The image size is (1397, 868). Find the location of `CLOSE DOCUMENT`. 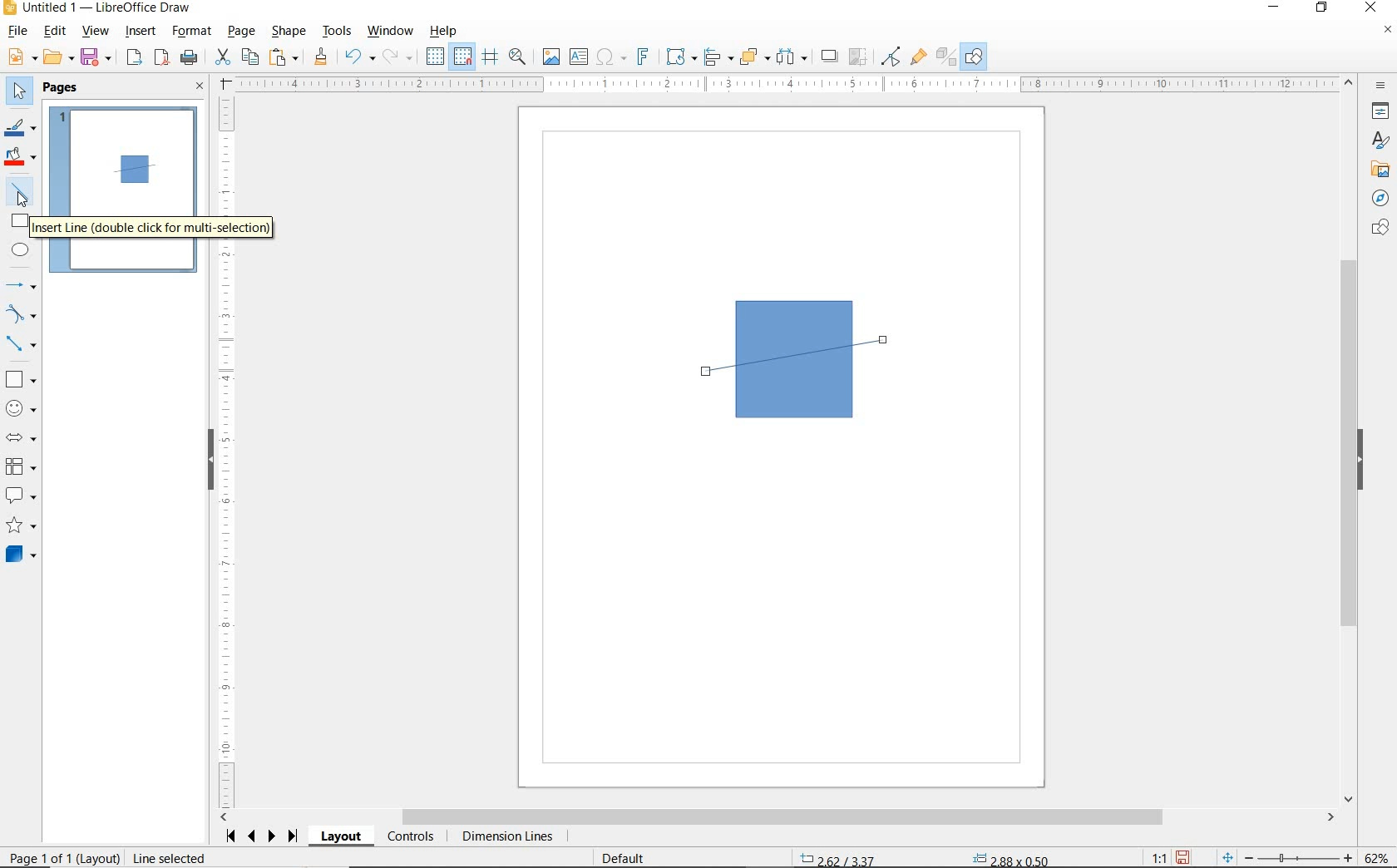

CLOSE DOCUMENT is located at coordinates (1387, 31).